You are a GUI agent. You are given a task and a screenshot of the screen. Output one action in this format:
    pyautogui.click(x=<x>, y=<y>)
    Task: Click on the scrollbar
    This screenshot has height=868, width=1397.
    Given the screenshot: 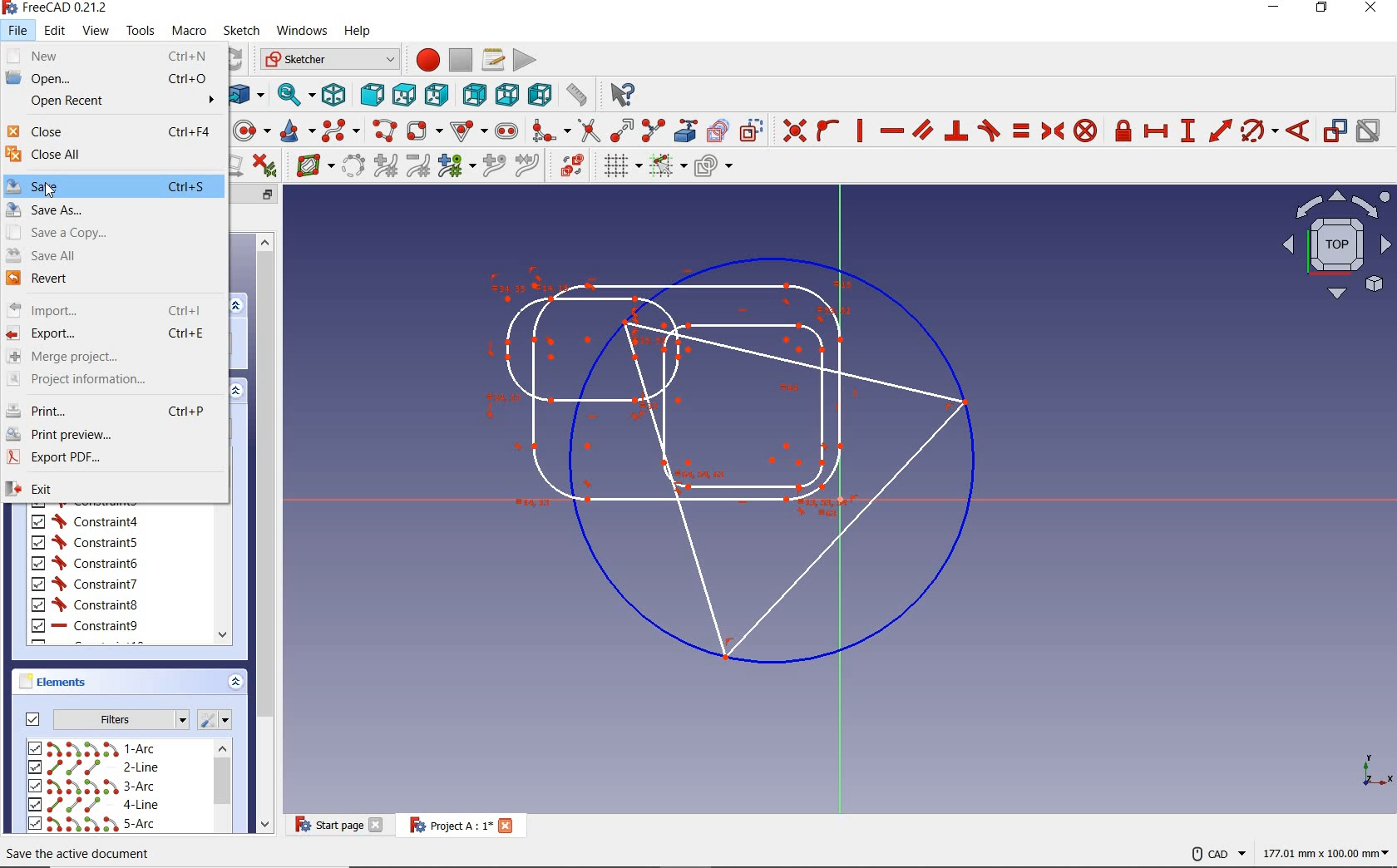 What is the action you would take?
    pyautogui.click(x=264, y=530)
    